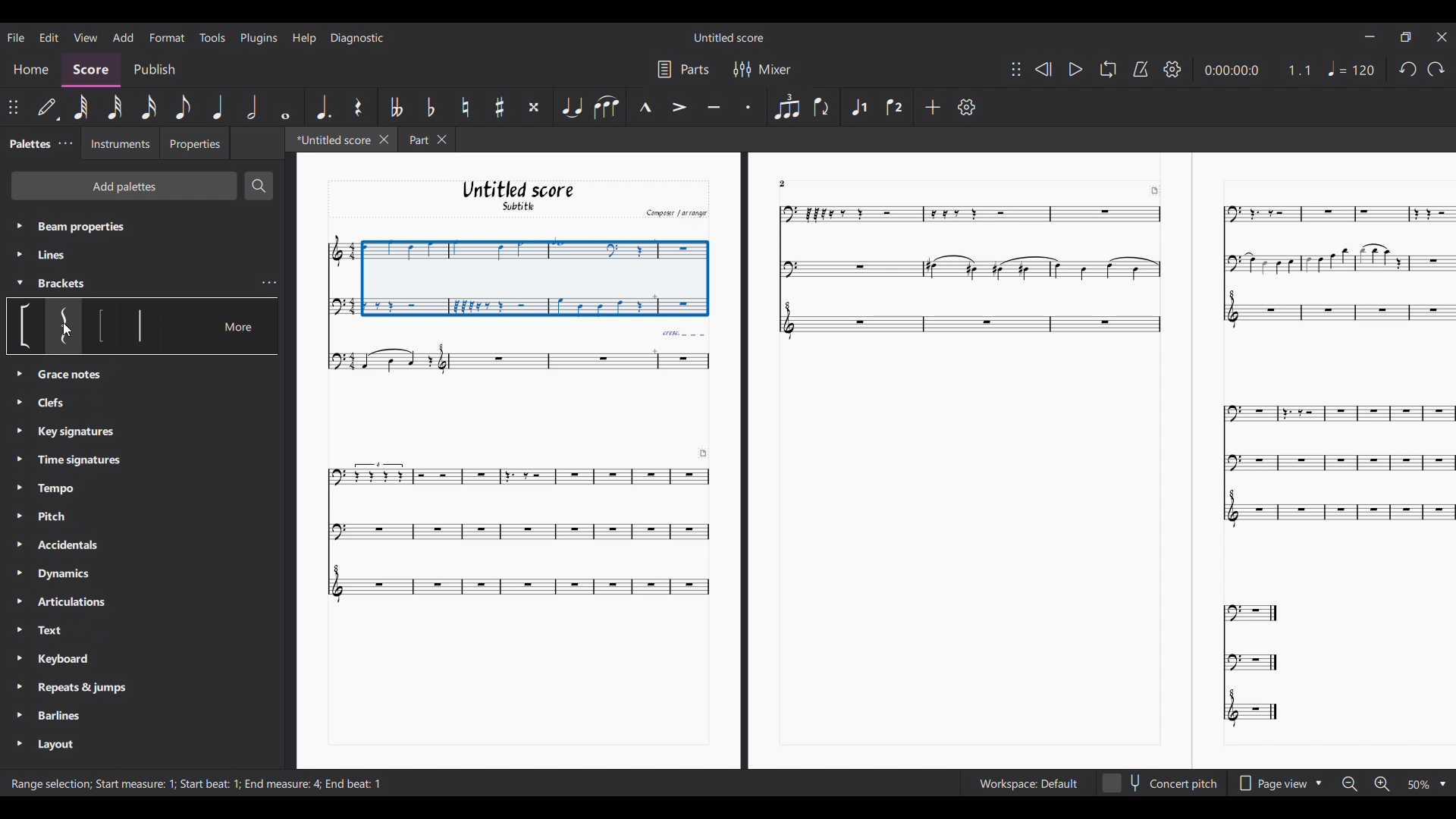 This screenshot has width=1456, height=819. What do you see at coordinates (1381, 784) in the screenshot?
I see `Zoom in` at bounding box center [1381, 784].